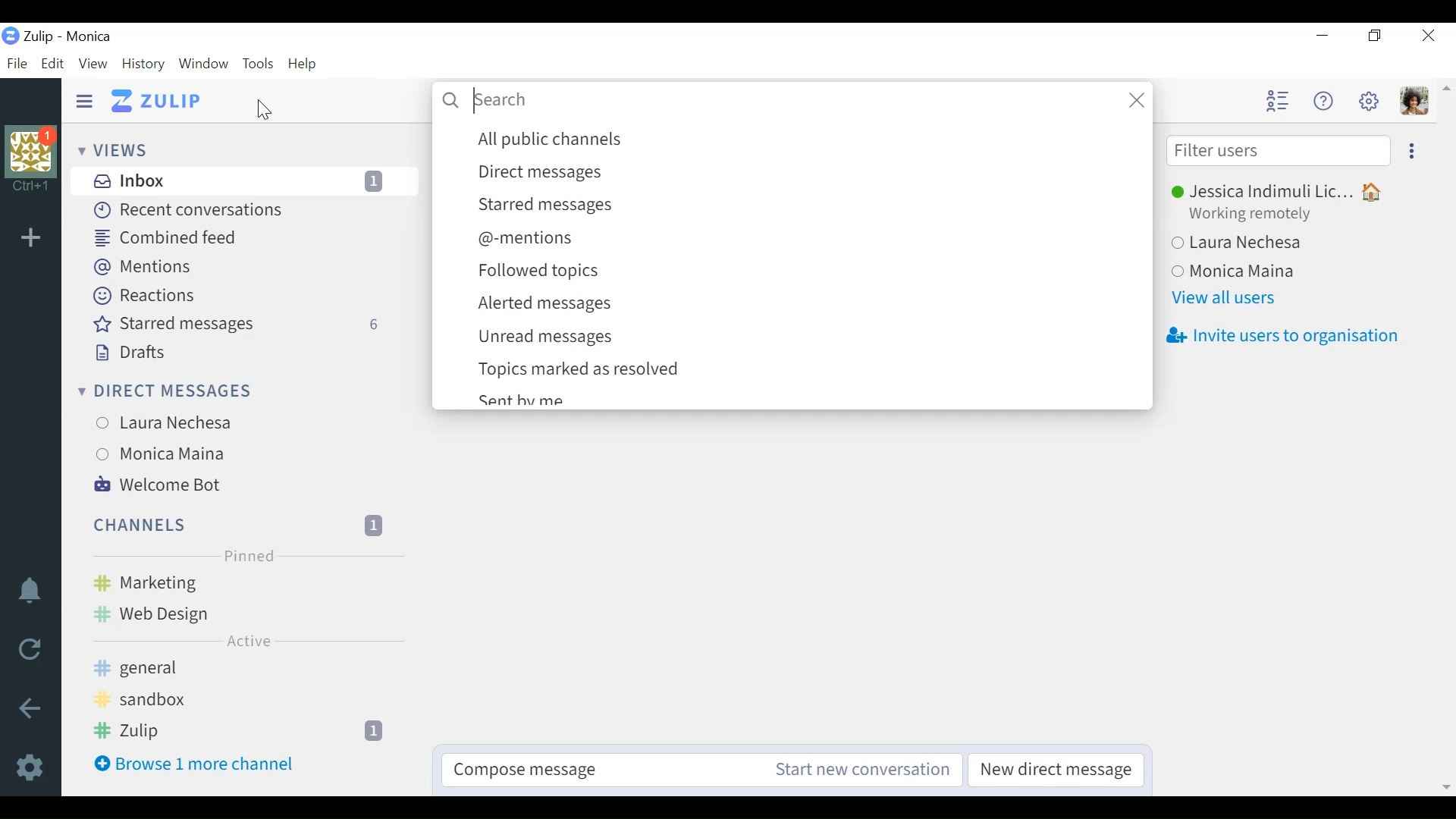  I want to click on Users, so click(1279, 203).